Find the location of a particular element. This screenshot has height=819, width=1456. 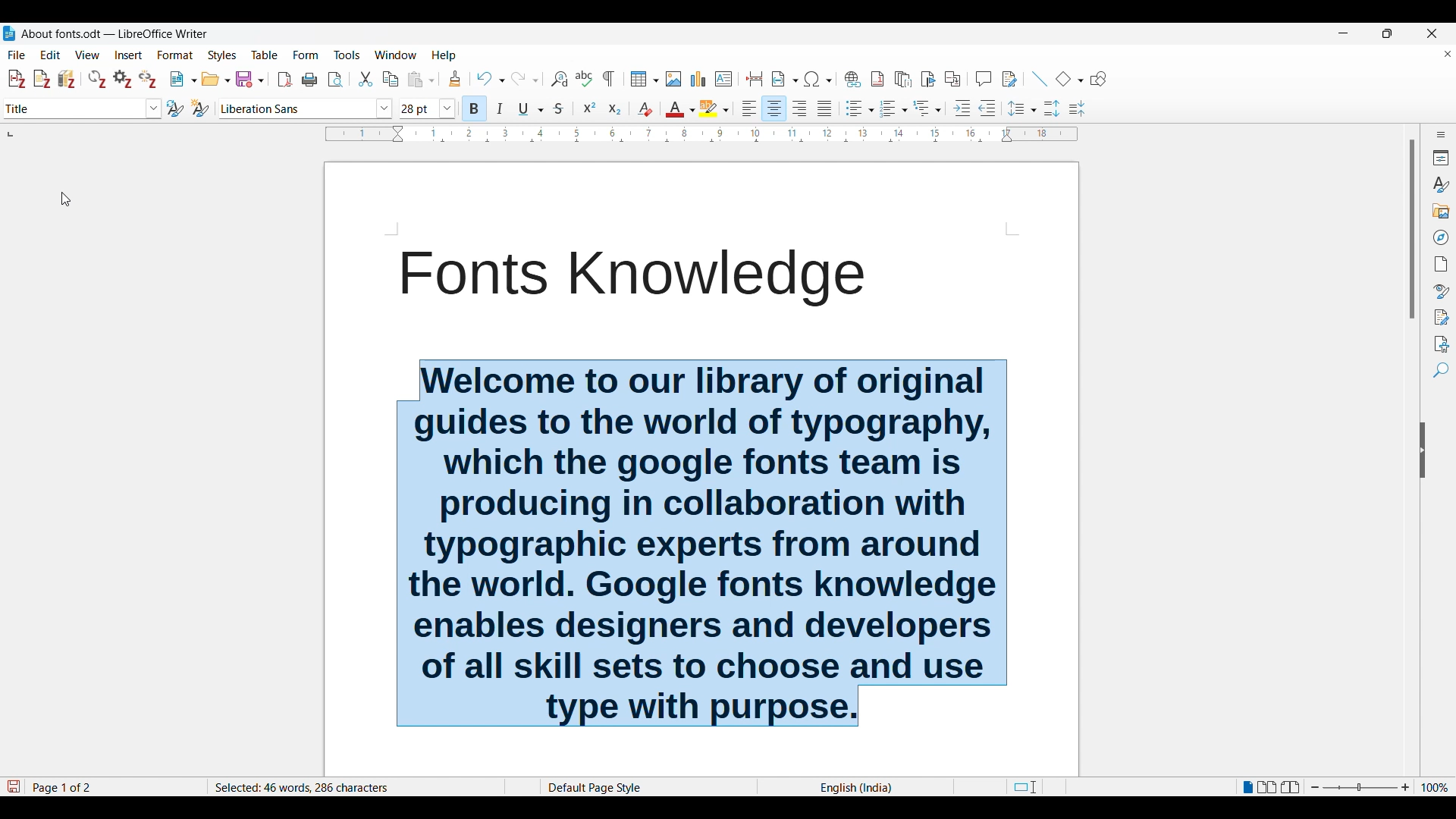

Manage changes is located at coordinates (1442, 318).